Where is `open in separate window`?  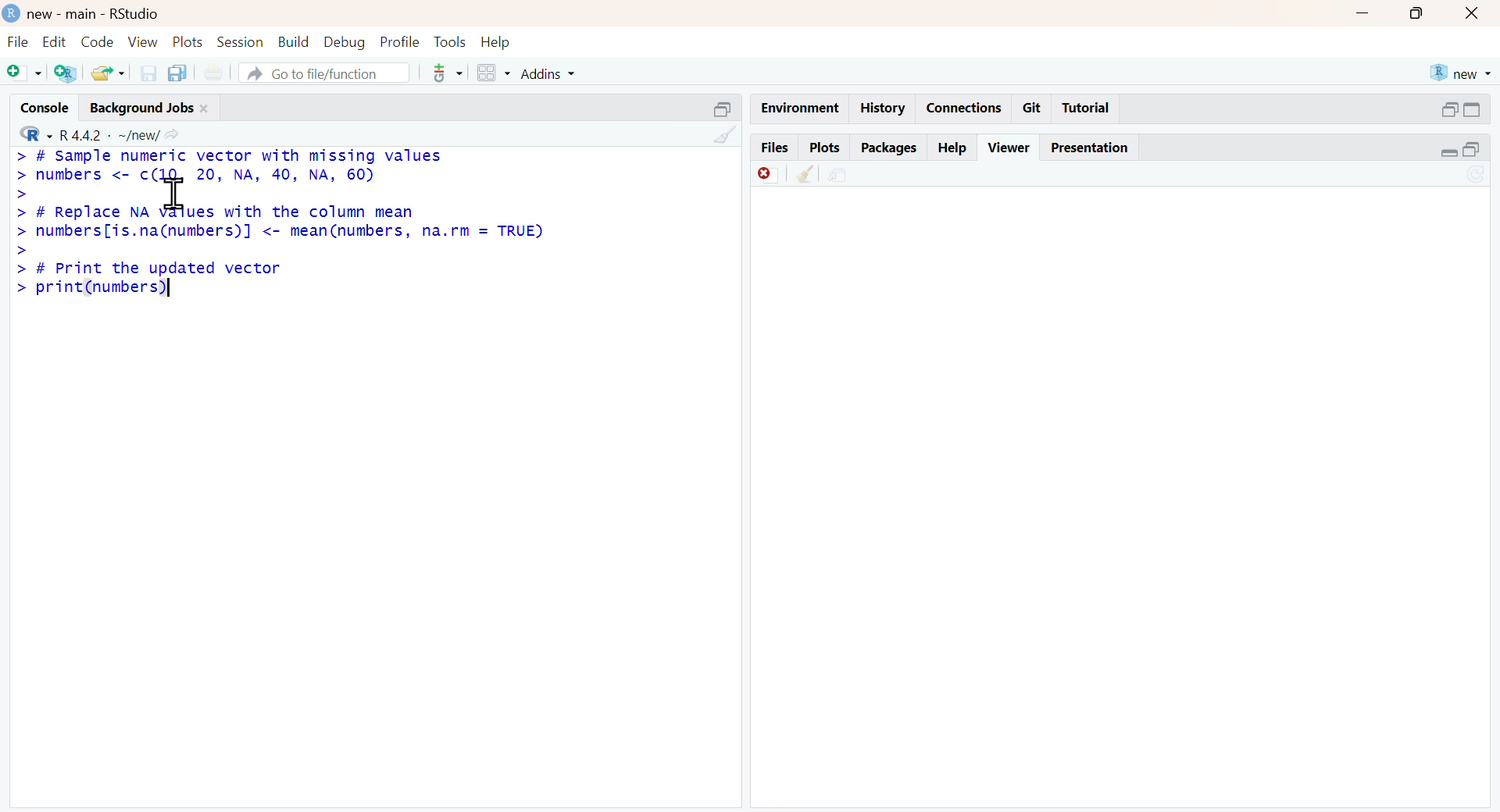
open in separate window is located at coordinates (1451, 109).